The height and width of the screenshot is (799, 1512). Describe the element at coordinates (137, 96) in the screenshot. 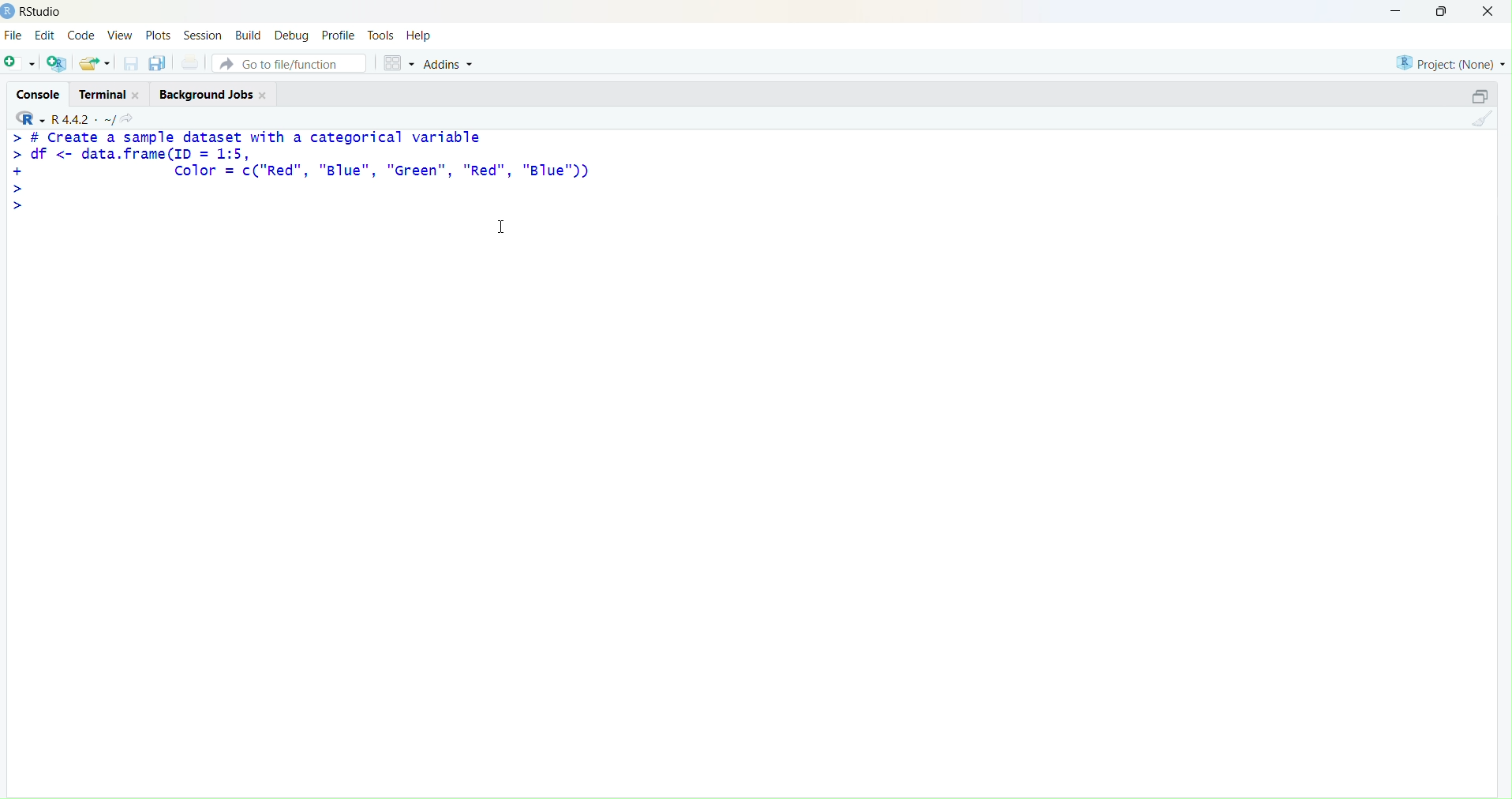

I see `close` at that location.